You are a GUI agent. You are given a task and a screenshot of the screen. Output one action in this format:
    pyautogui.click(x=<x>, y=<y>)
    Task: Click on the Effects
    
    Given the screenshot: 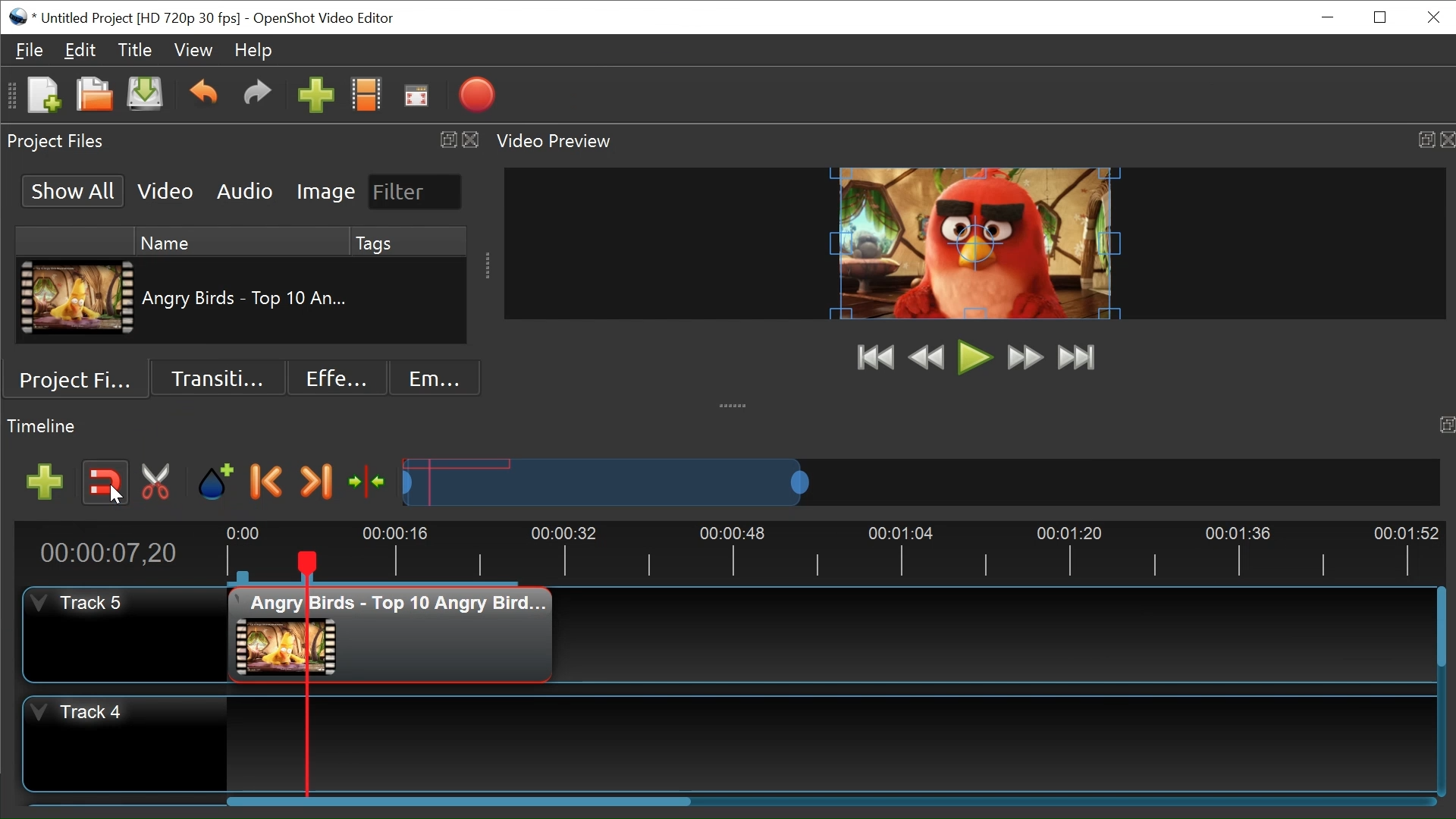 What is the action you would take?
    pyautogui.click(x=335, y=379)
    